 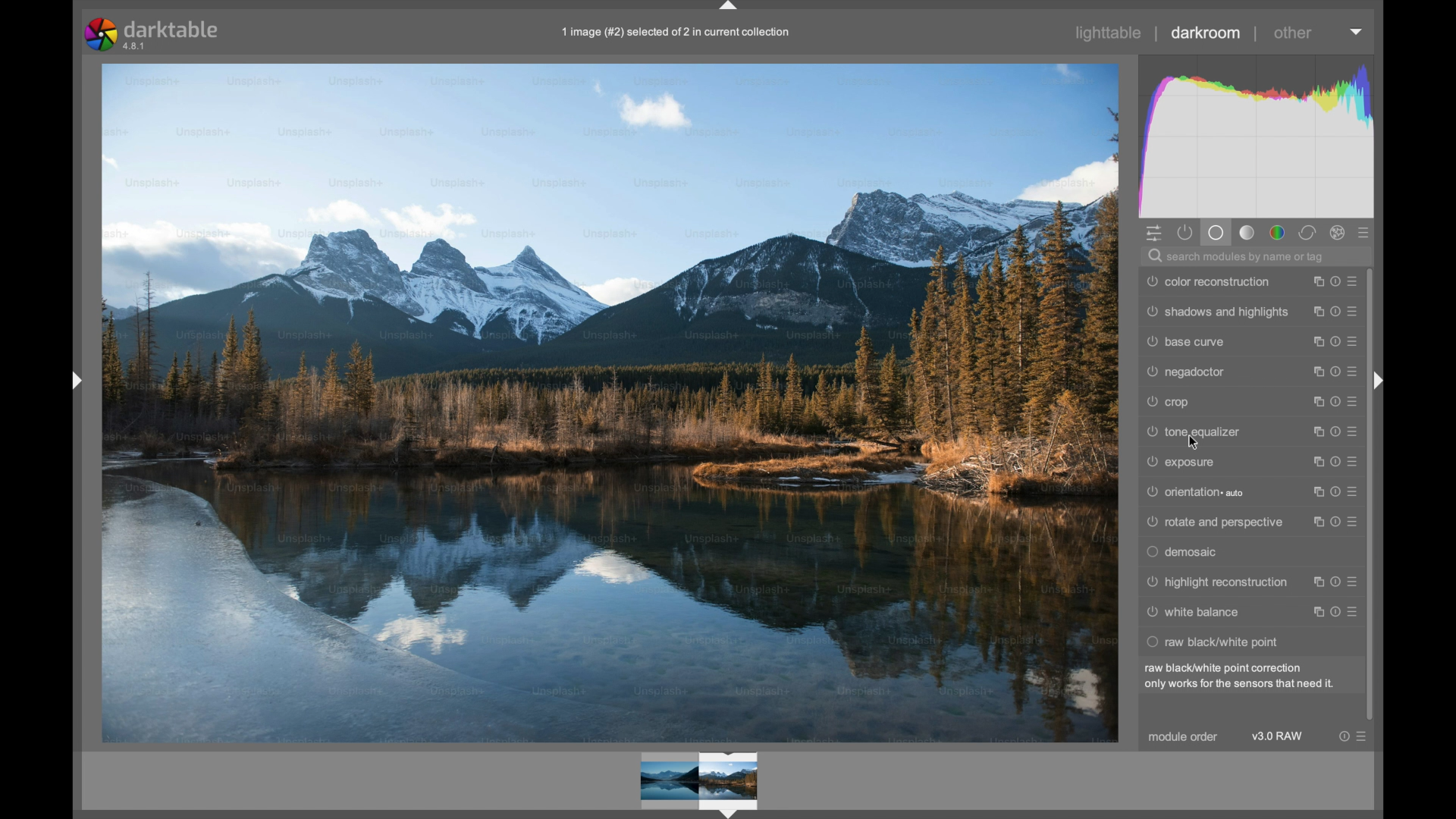 I want to click on presets, so click(x=1356, y=401).